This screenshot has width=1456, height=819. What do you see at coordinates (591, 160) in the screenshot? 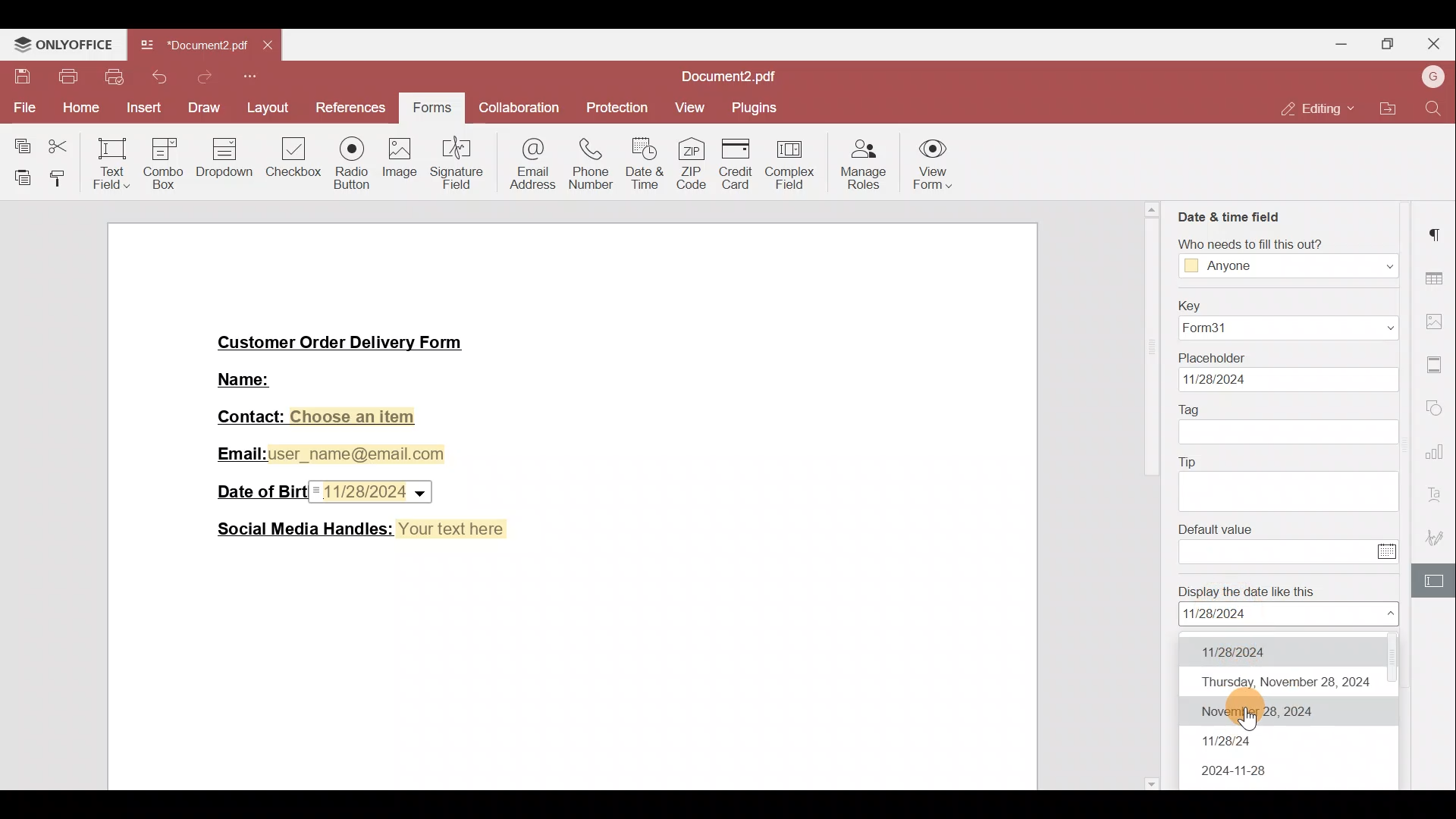
I see `Phone number` at bounding box center [591, 160].